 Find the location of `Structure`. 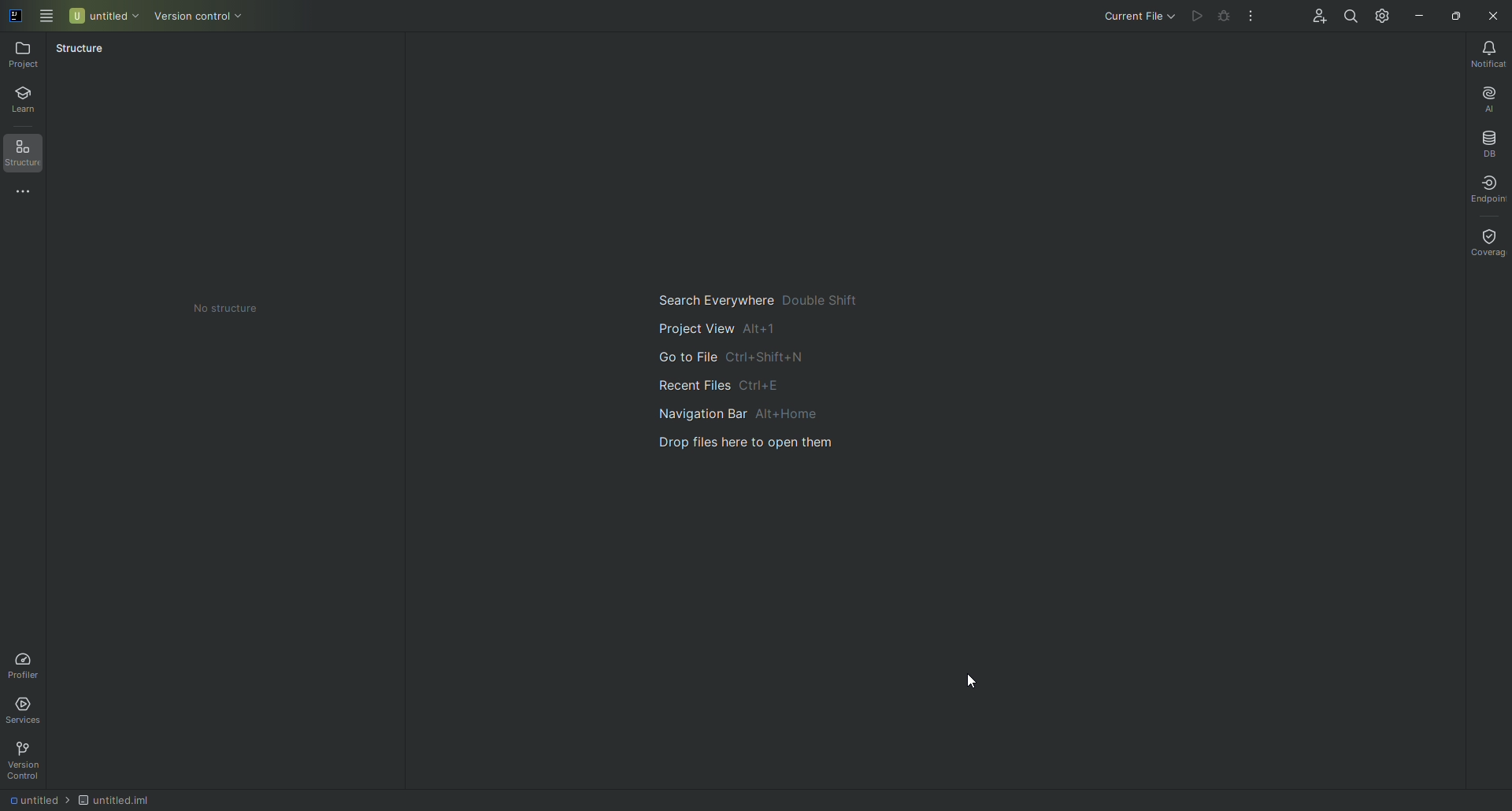

Structure is located at coordinates (83, 48).